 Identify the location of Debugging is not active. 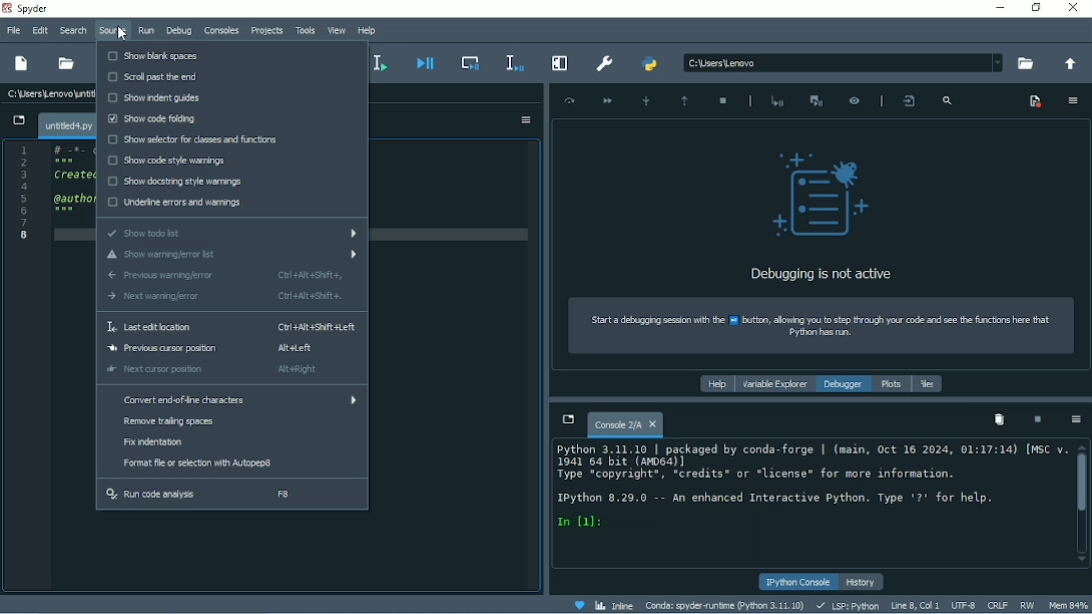
(827, 217).